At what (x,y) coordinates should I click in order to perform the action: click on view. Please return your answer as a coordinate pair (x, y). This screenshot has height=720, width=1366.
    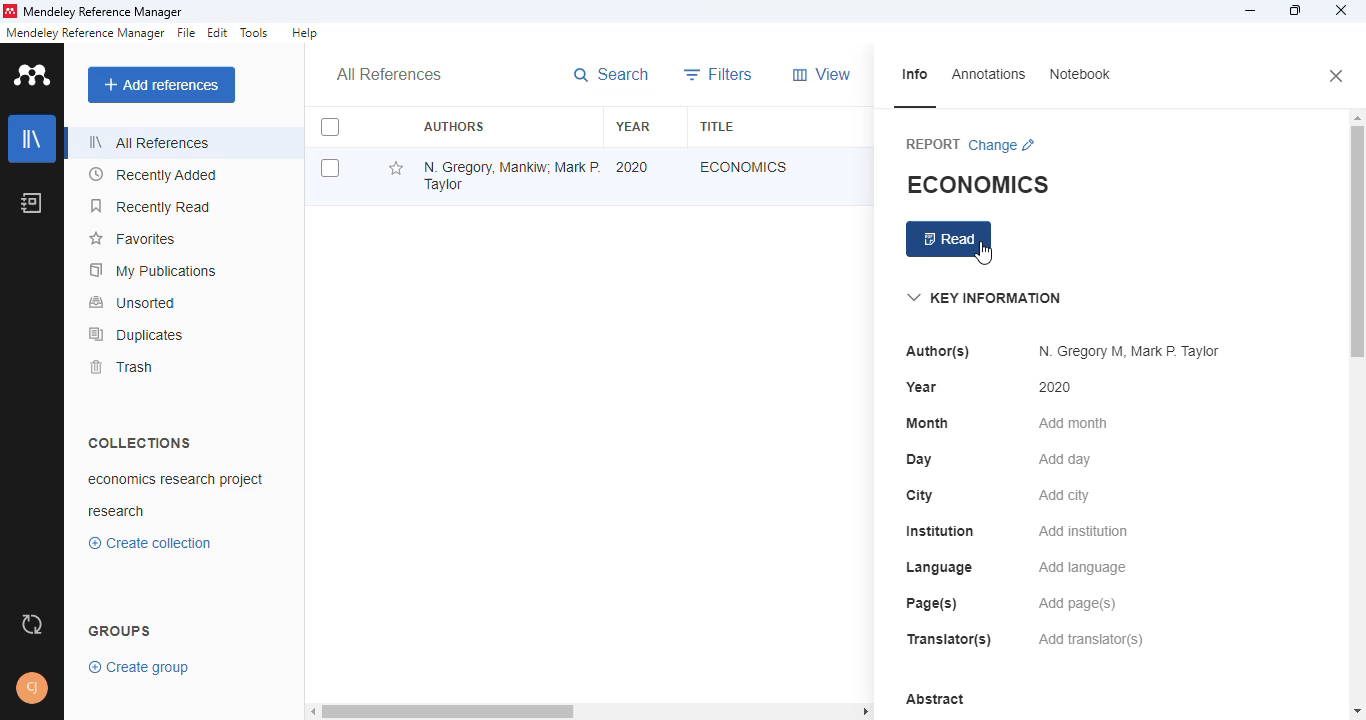
    Looking at the image, I should click on (821, 74).